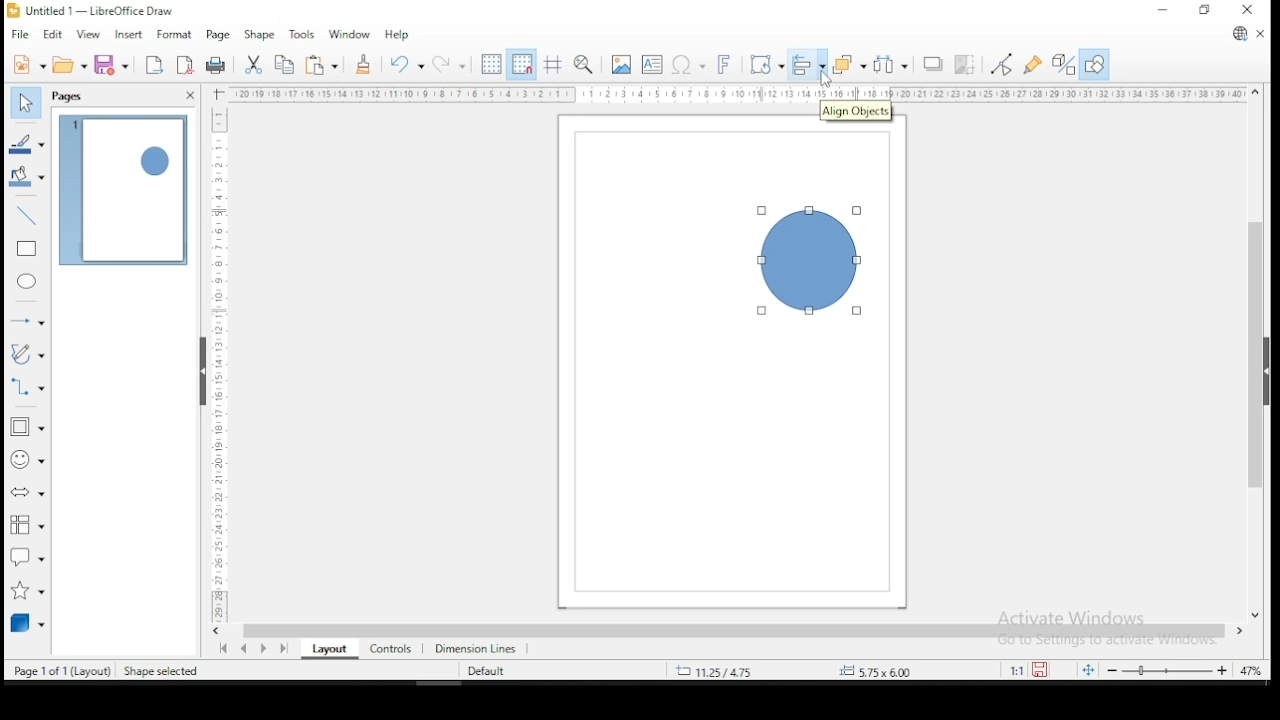 Image resolution: width=1280 pixels, height=720 pixels. What do you see at coordinates (28, 556) in the screenshot?
I see `callout shapes` at bounding box center [28, 556].